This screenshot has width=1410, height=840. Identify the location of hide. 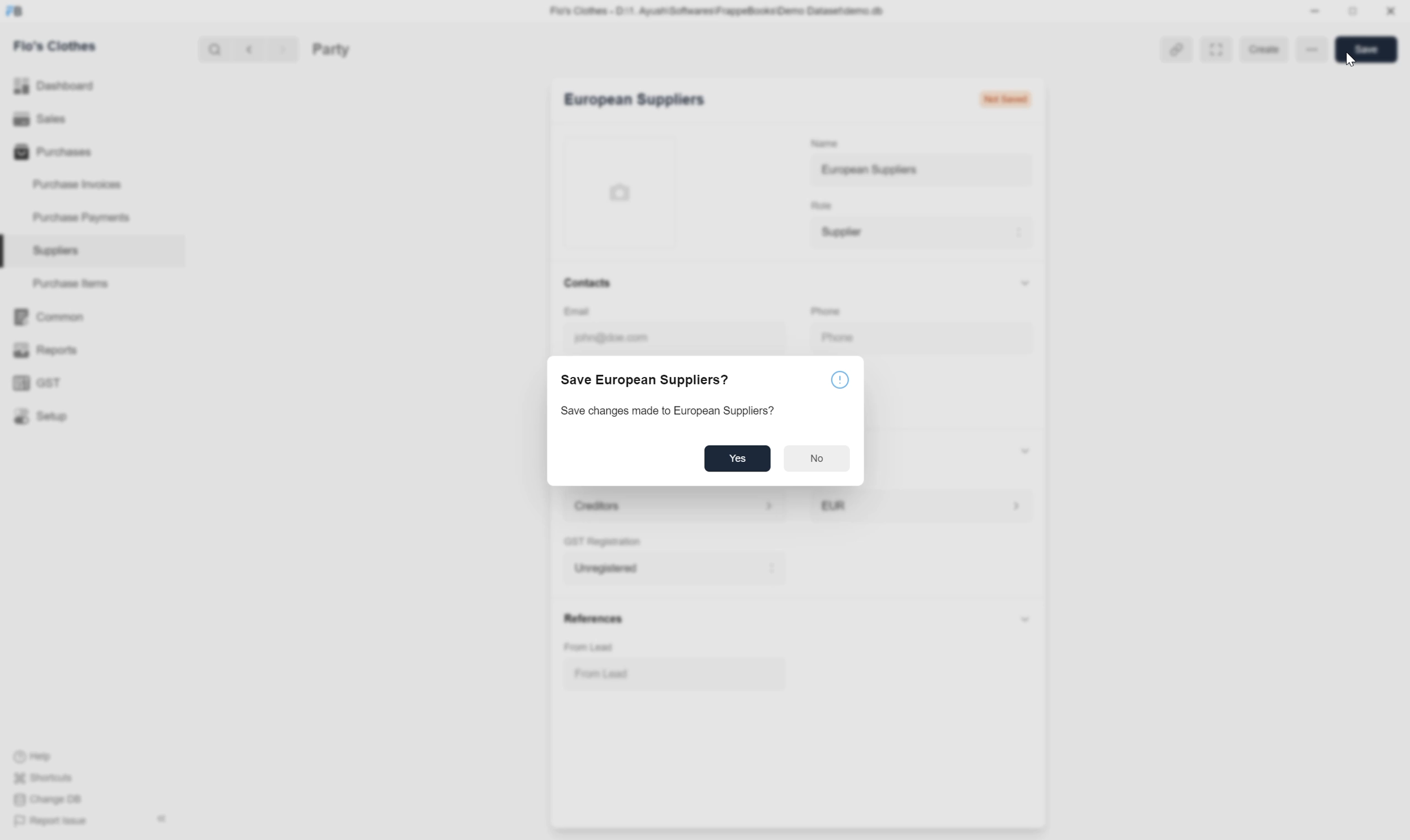
(158, 818).